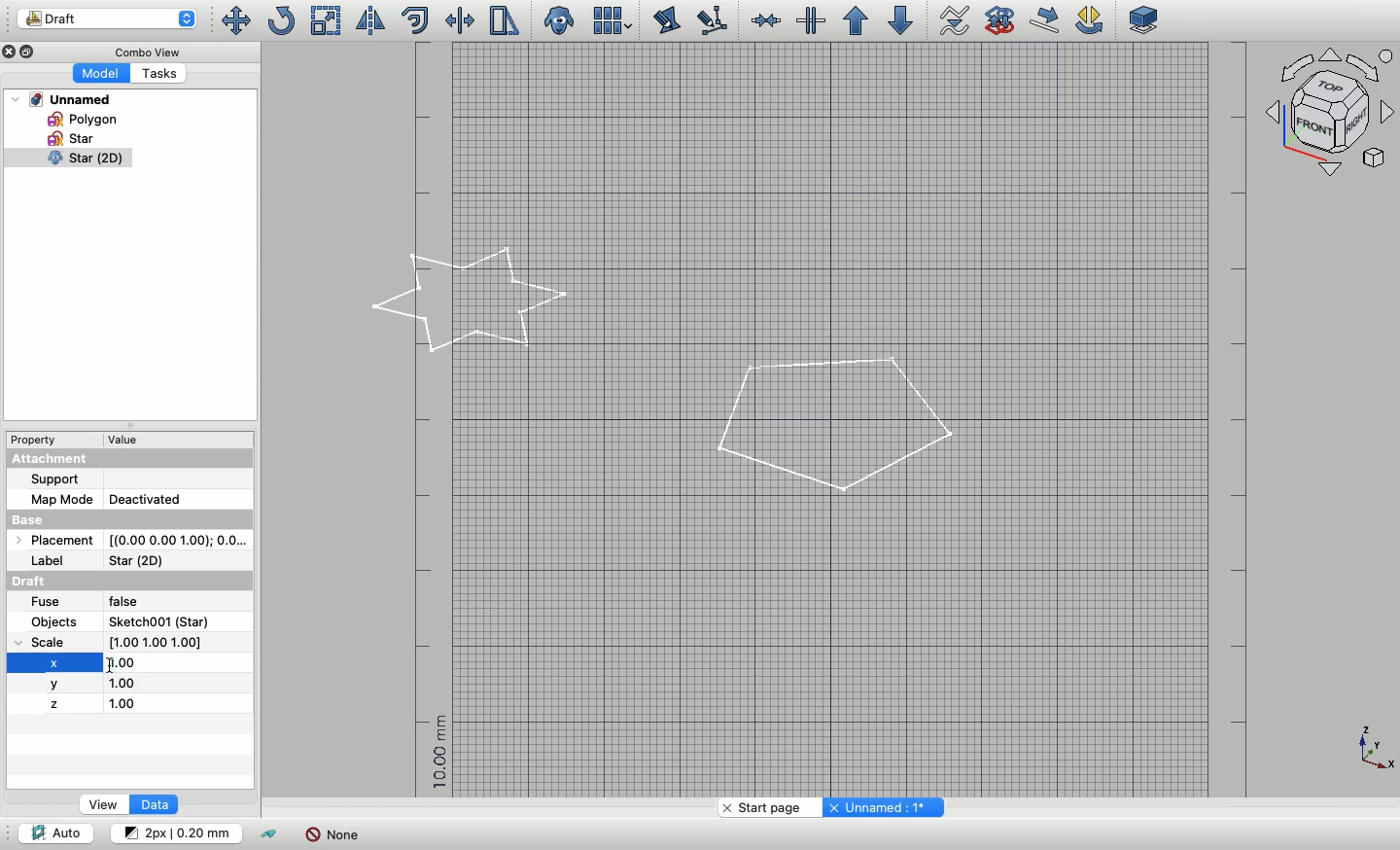 The image size is (1400, 850). Describe the element at coordinates (55, 832) in the screenshot. I see `Auto` at that location.